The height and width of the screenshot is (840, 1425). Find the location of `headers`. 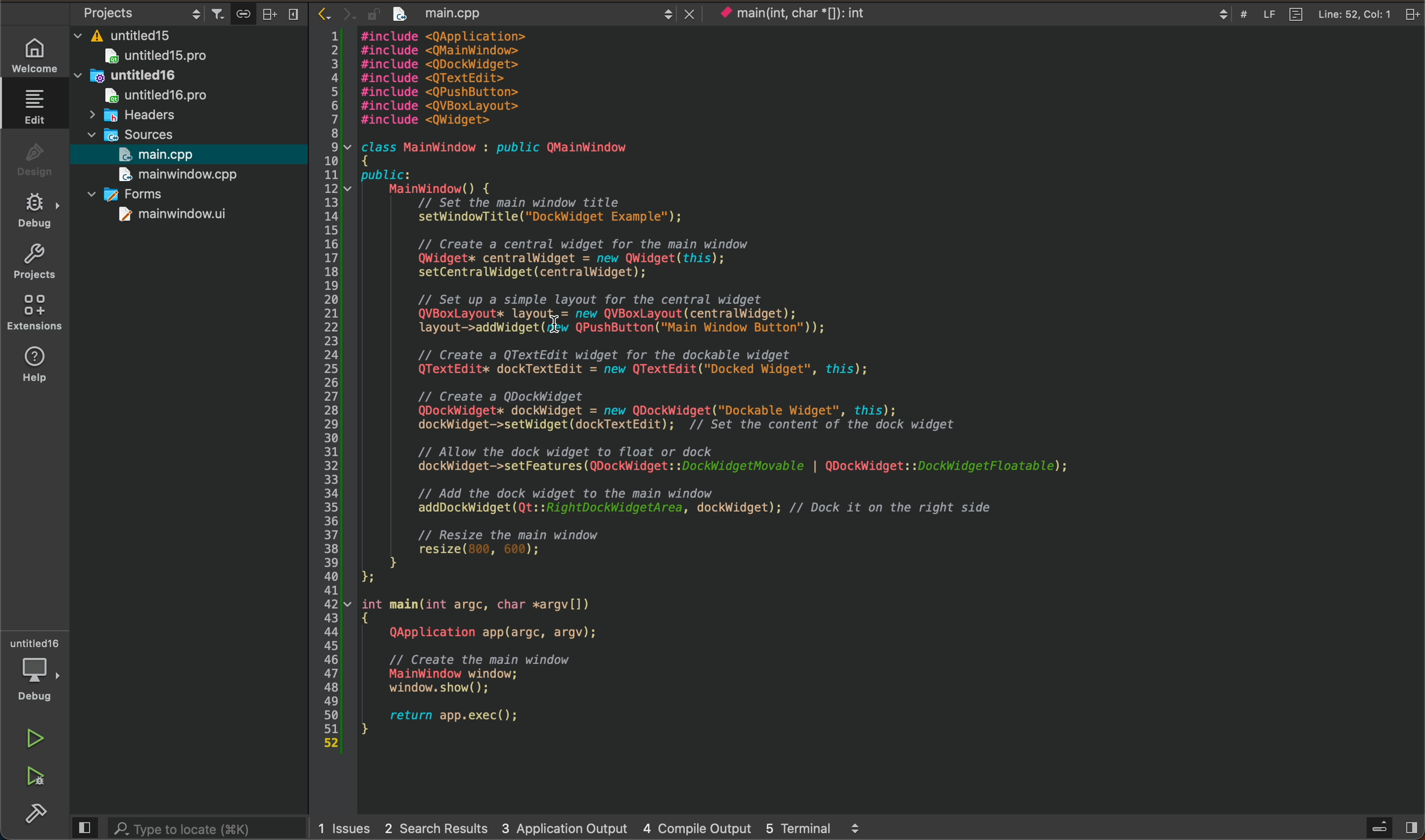

headers is located at coordinates (140, 114).